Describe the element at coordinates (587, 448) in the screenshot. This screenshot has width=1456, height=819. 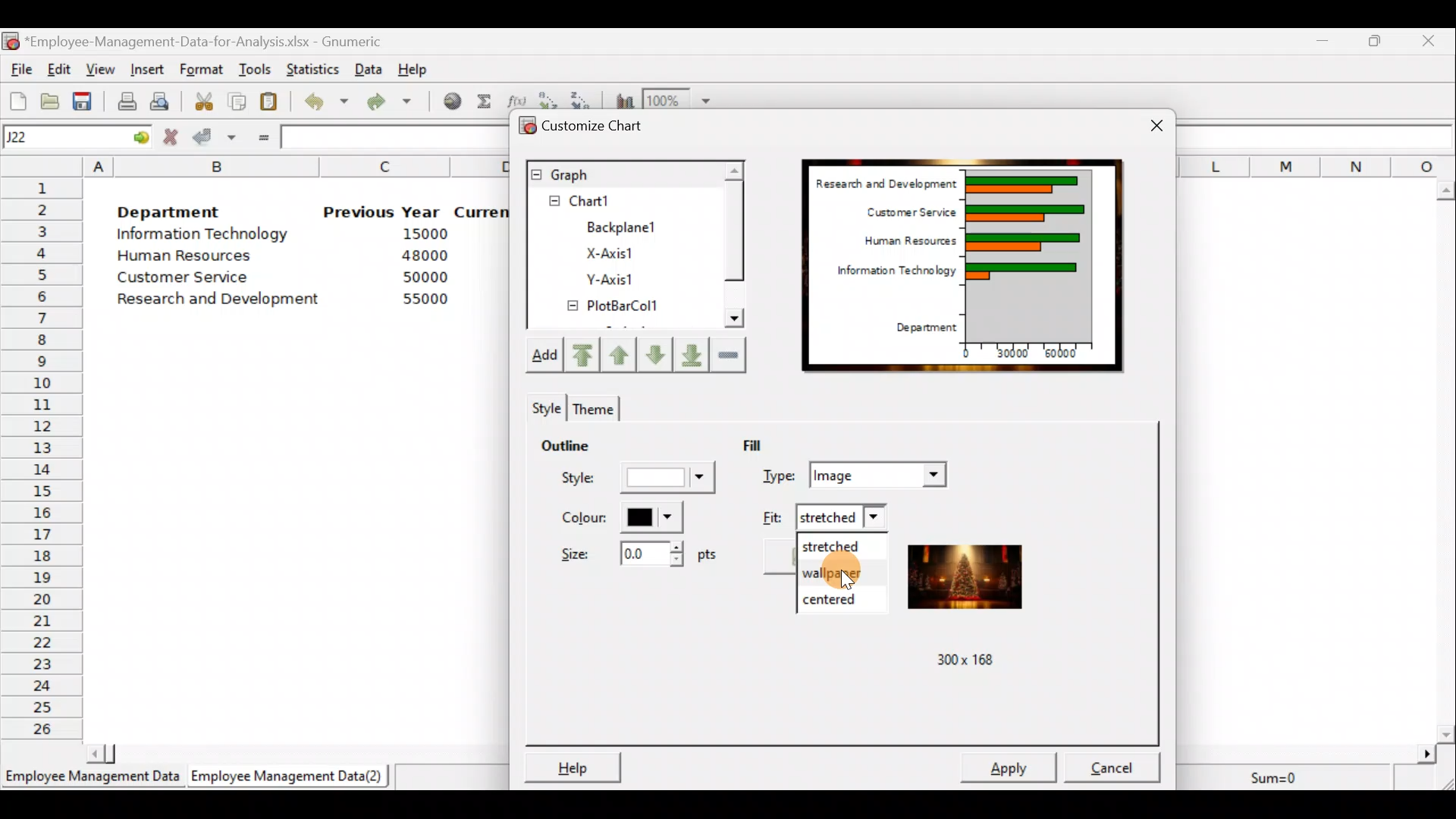
I see `Outline` at that location.